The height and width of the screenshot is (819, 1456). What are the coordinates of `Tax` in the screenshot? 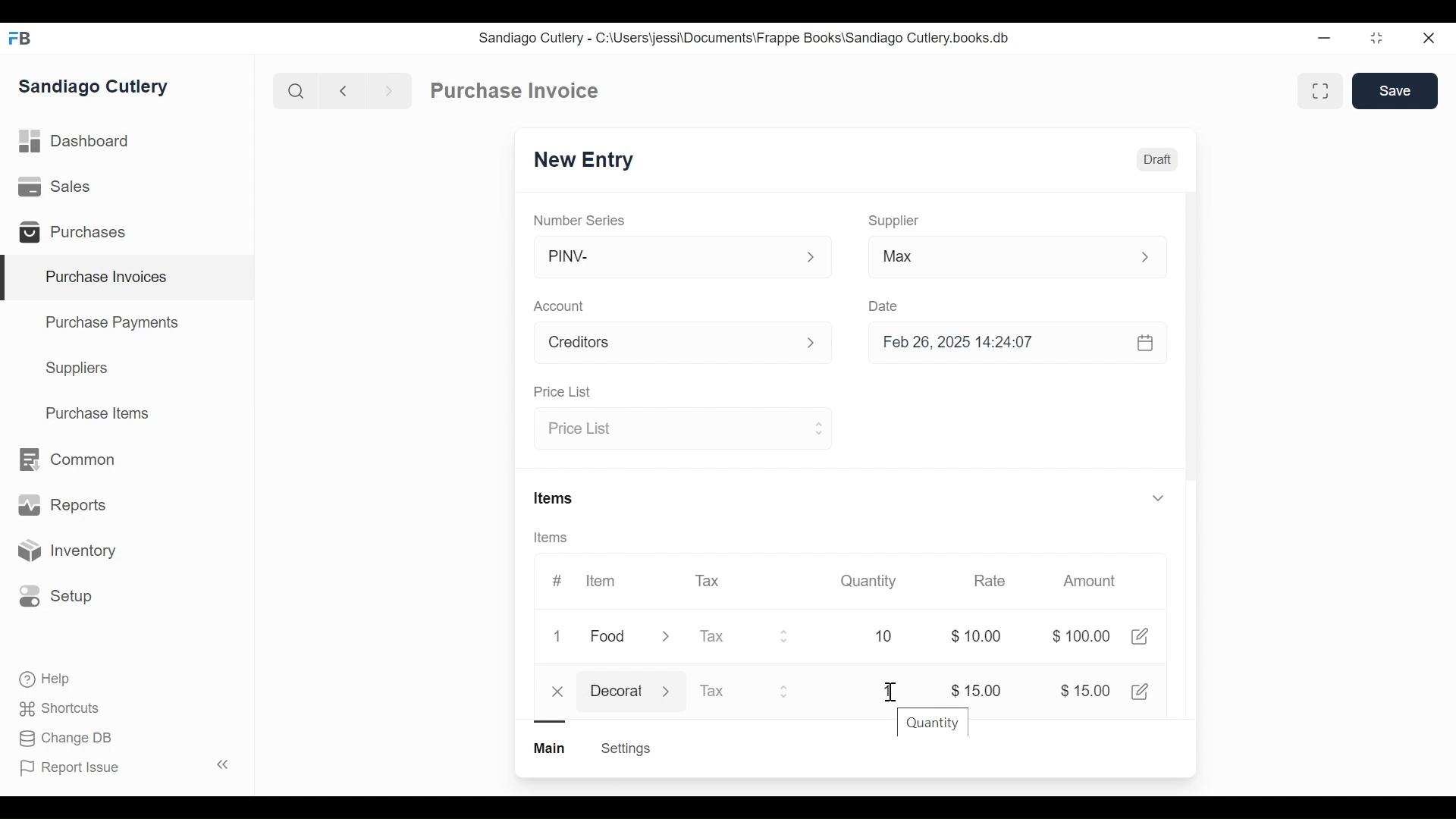 It's located at (728, 692).